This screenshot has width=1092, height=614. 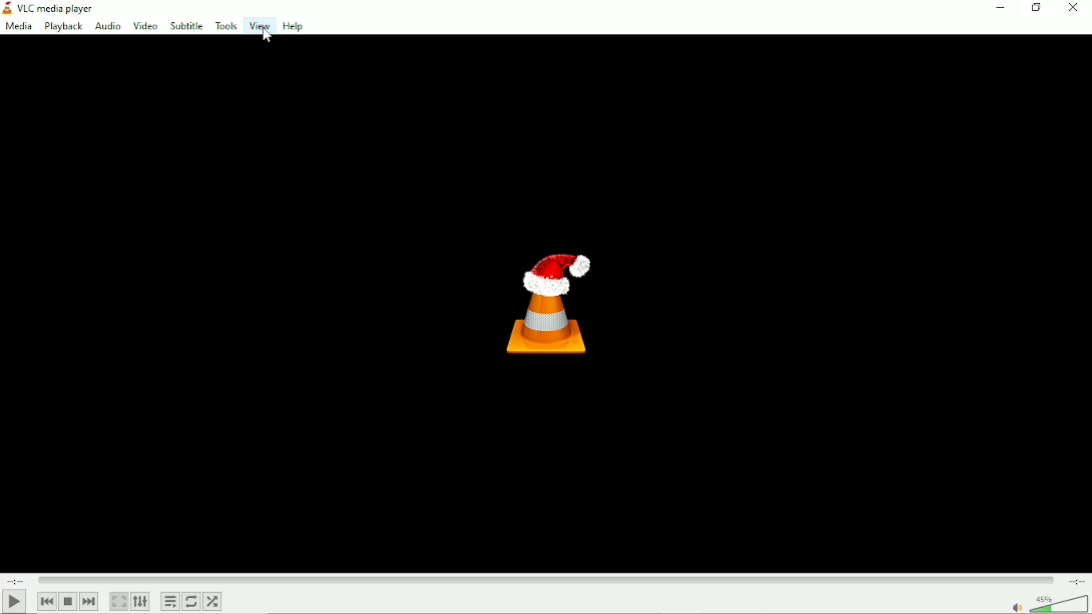 What do you see at coordinates (89, 602) in the screenshot?
I see `Next` at bounding box center [89, 602].